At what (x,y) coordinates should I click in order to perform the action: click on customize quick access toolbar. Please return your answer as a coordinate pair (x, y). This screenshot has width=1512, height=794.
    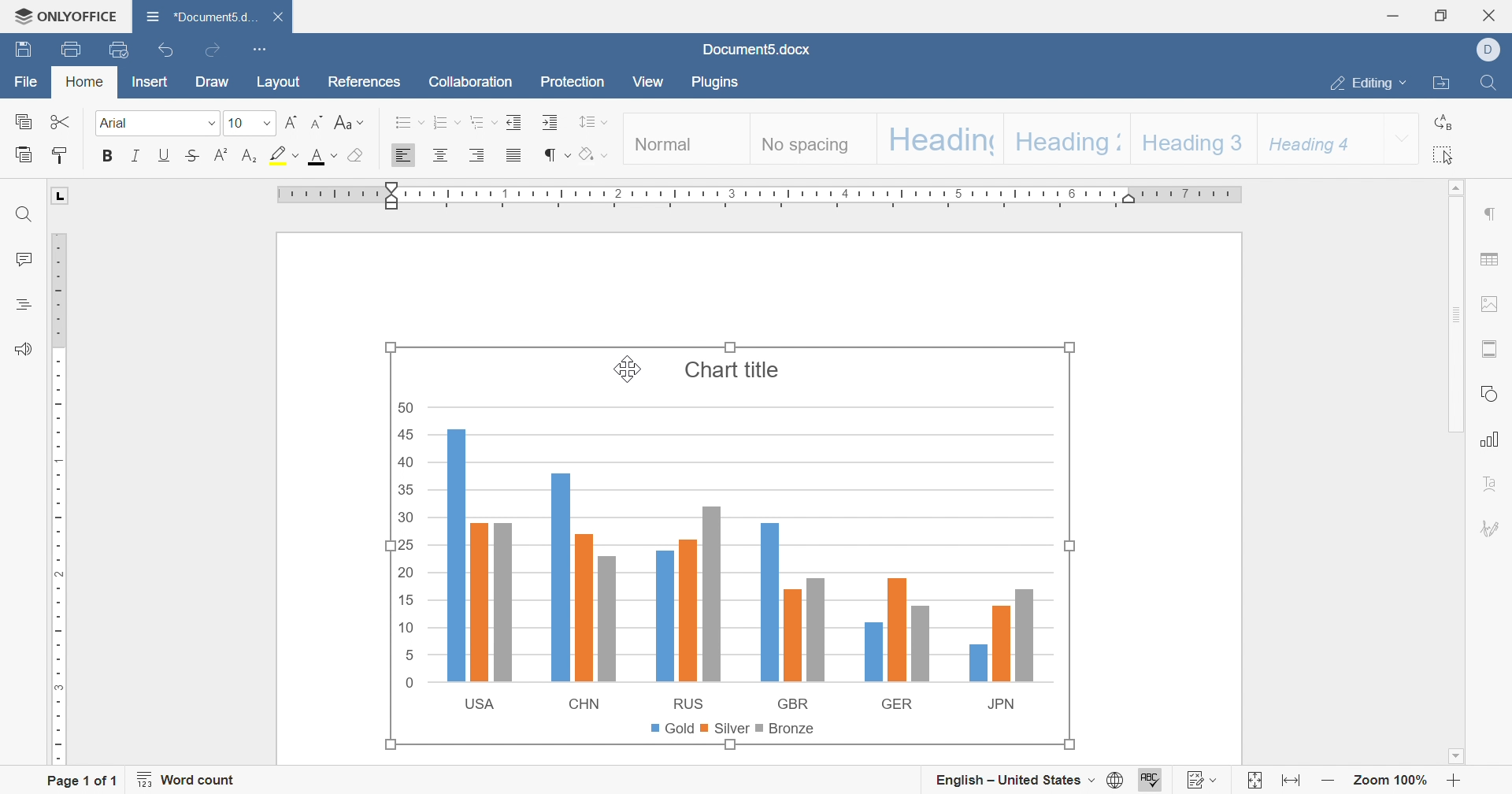
    Looking at the image, I should click on (263, 49).